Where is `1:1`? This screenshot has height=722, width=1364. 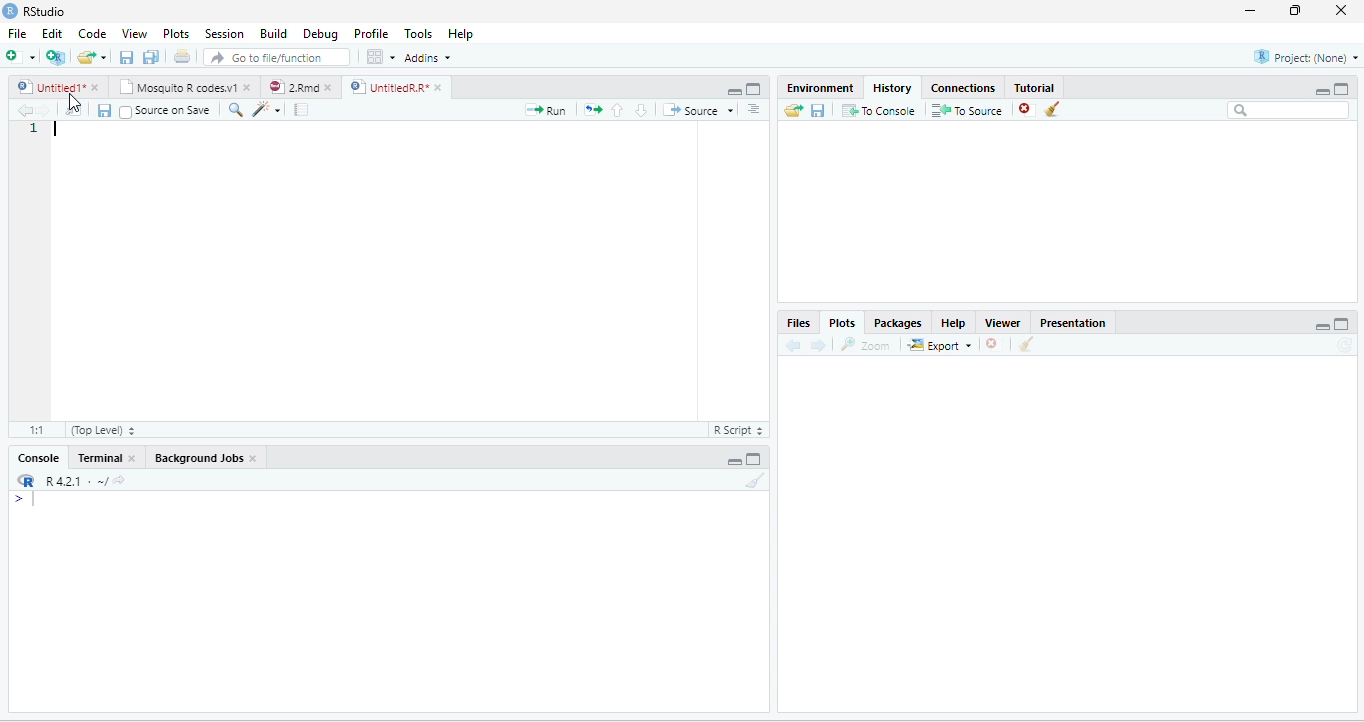 1:1 is located at coordinates (34, 429).